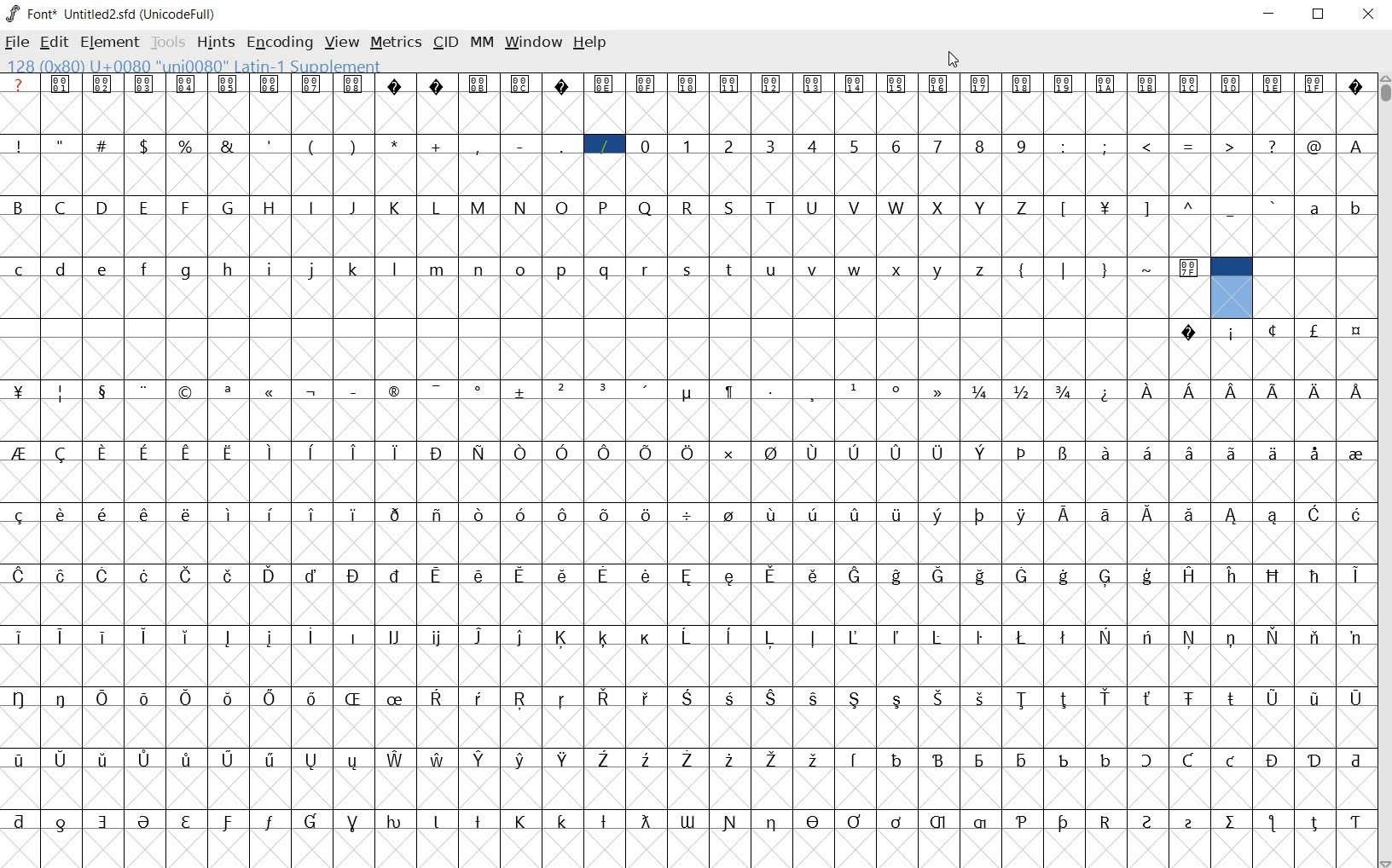 The image size is (1392, 868). I want to click on Symbol, so click(853, 636).